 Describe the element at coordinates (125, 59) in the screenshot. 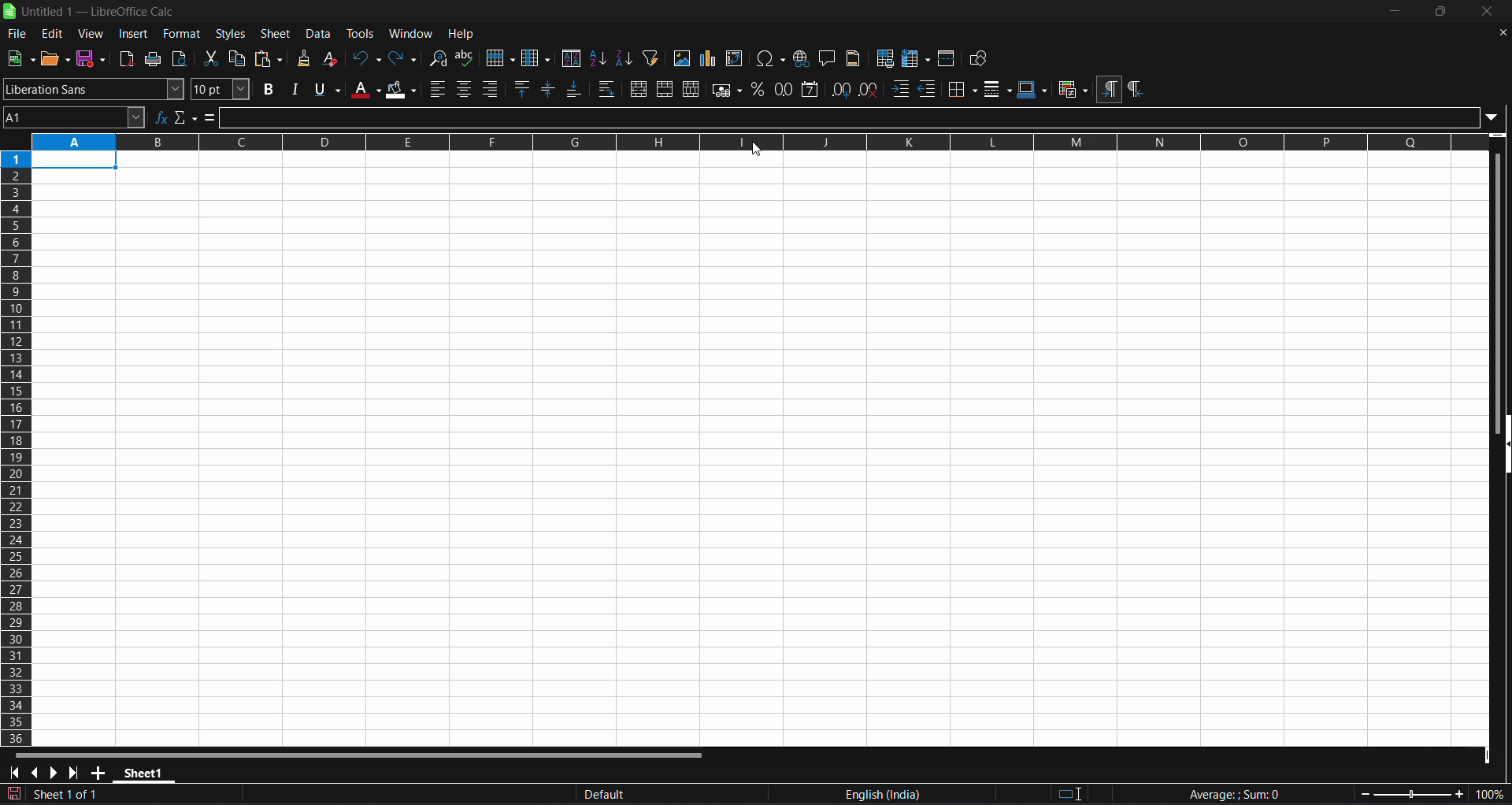

I see `export directly as pdf` at that location.